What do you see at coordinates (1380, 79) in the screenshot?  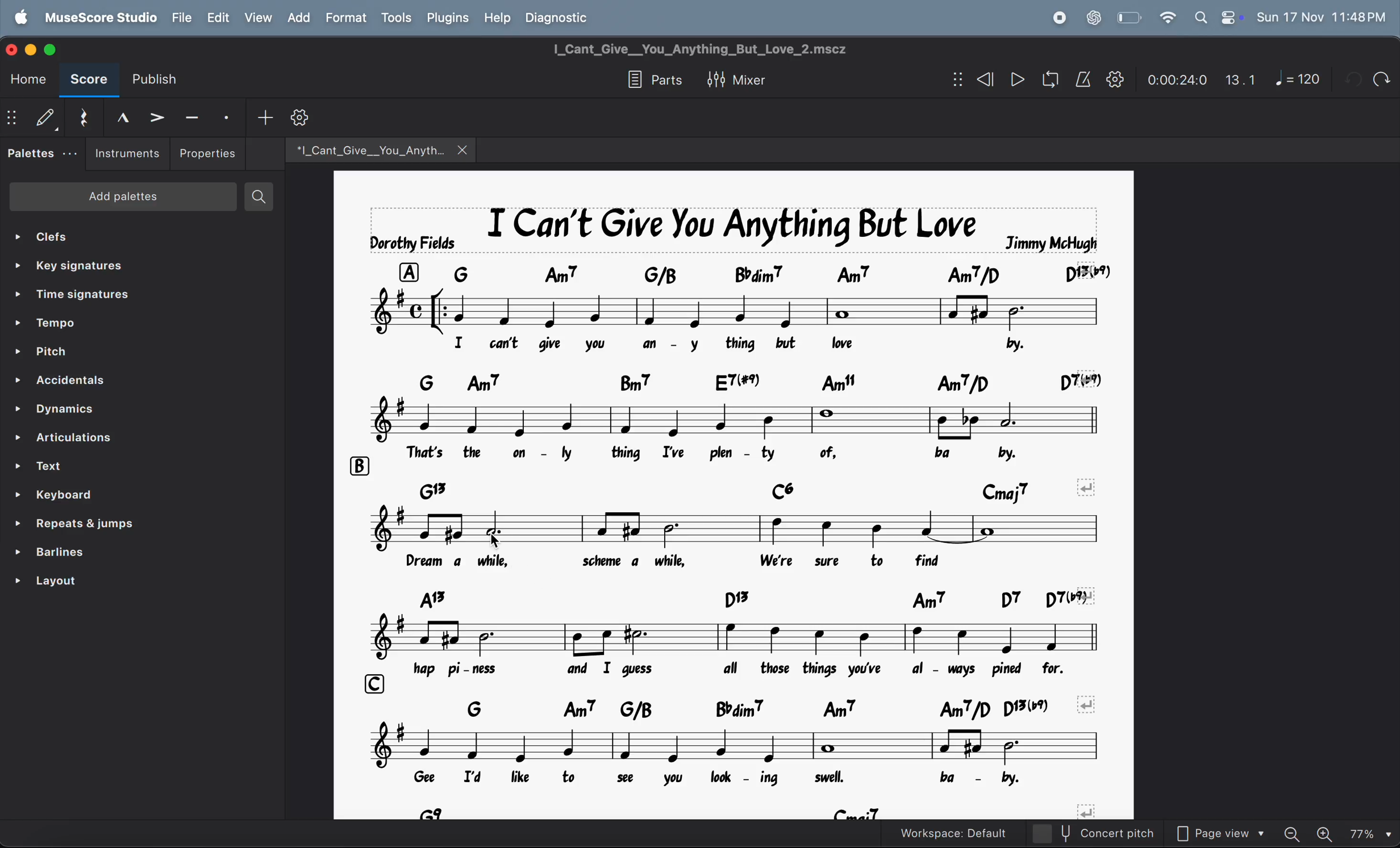 I see `redo` at bounding box center [1380, 79].